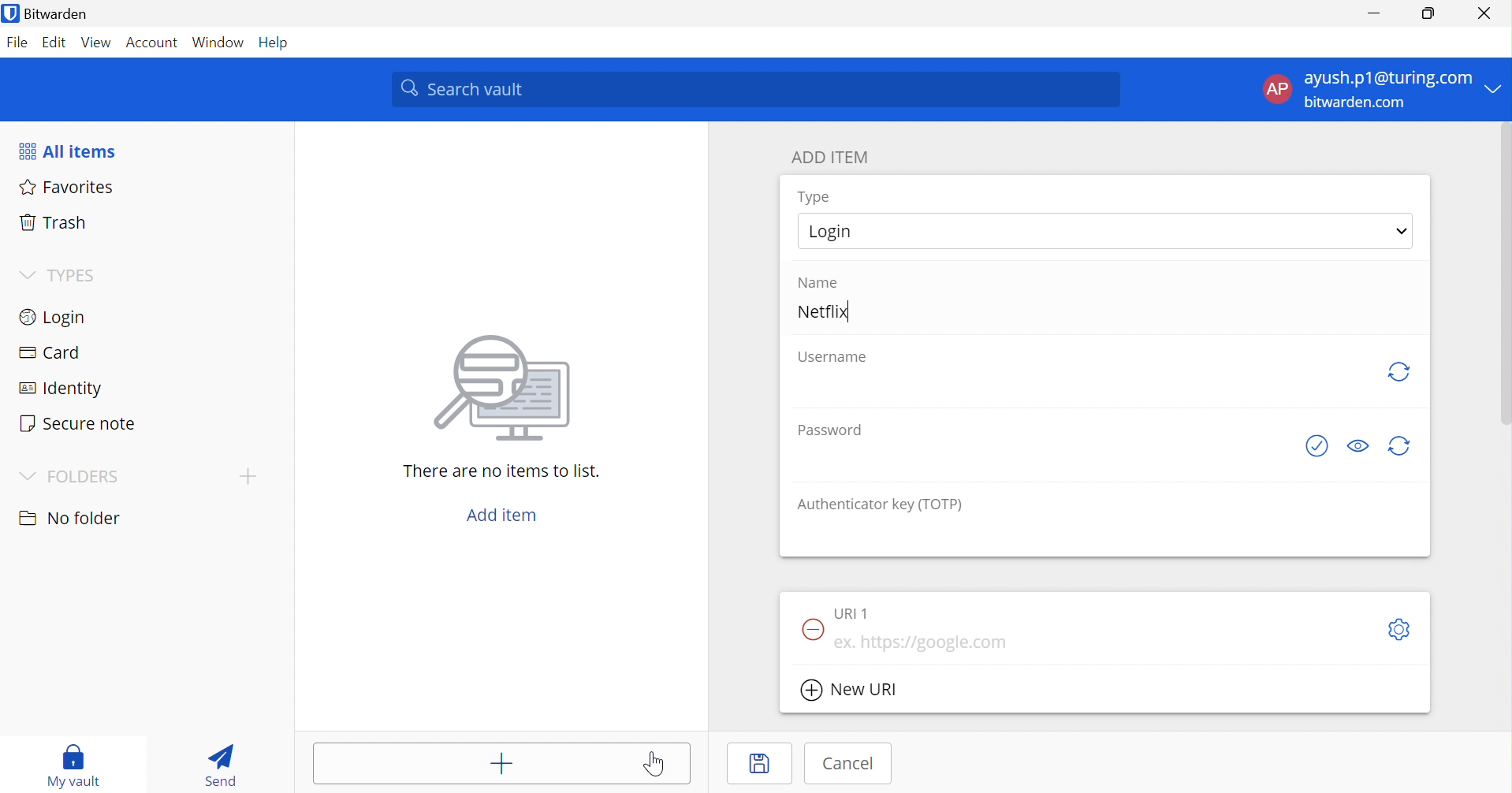 The width and height of the screenshot is (1512, 793). I want to click on Toggle options, so click(1401, 629).